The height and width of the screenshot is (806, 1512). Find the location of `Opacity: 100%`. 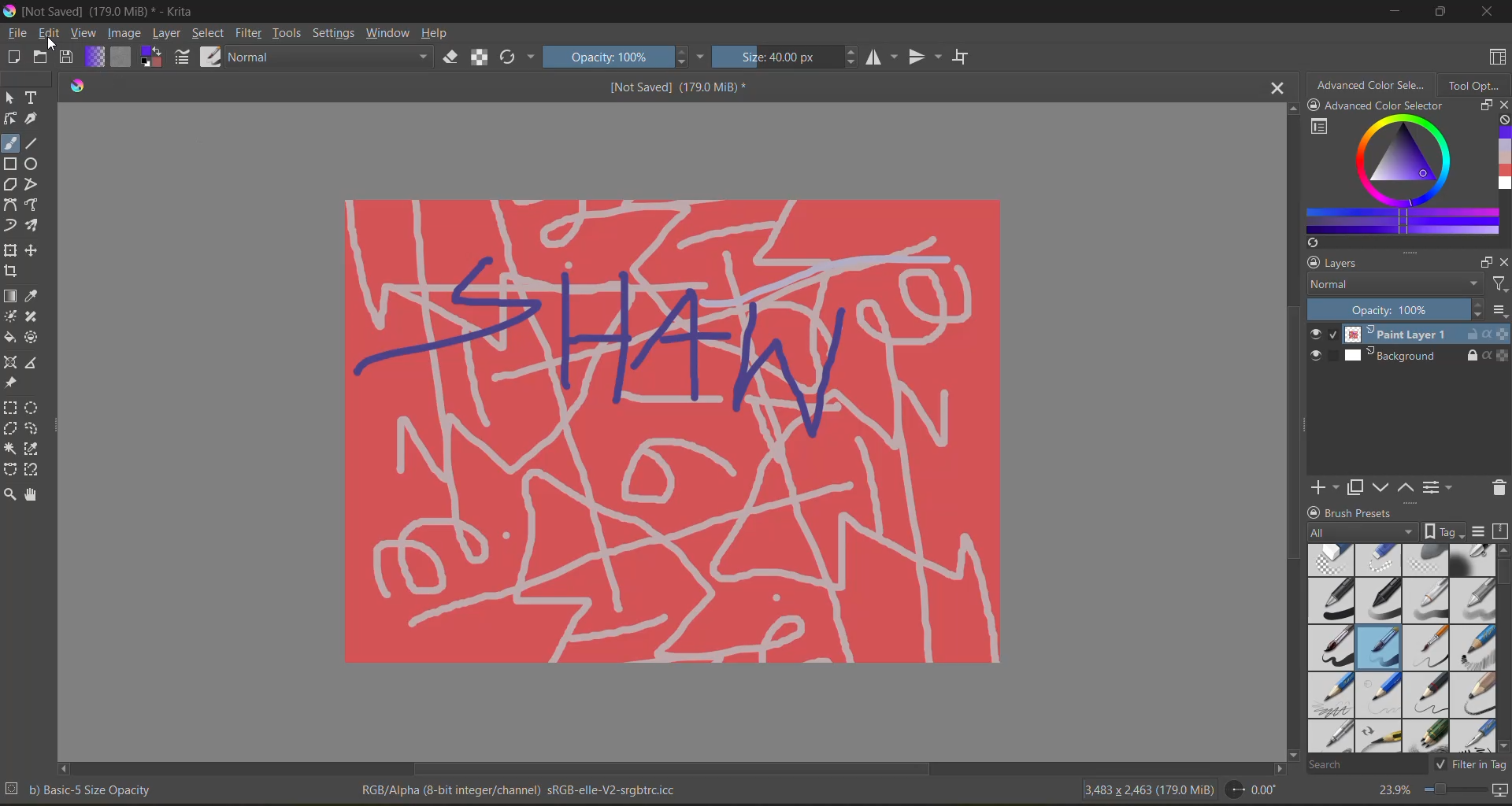

Opacity: 100% is located at coordinates (624, 57).